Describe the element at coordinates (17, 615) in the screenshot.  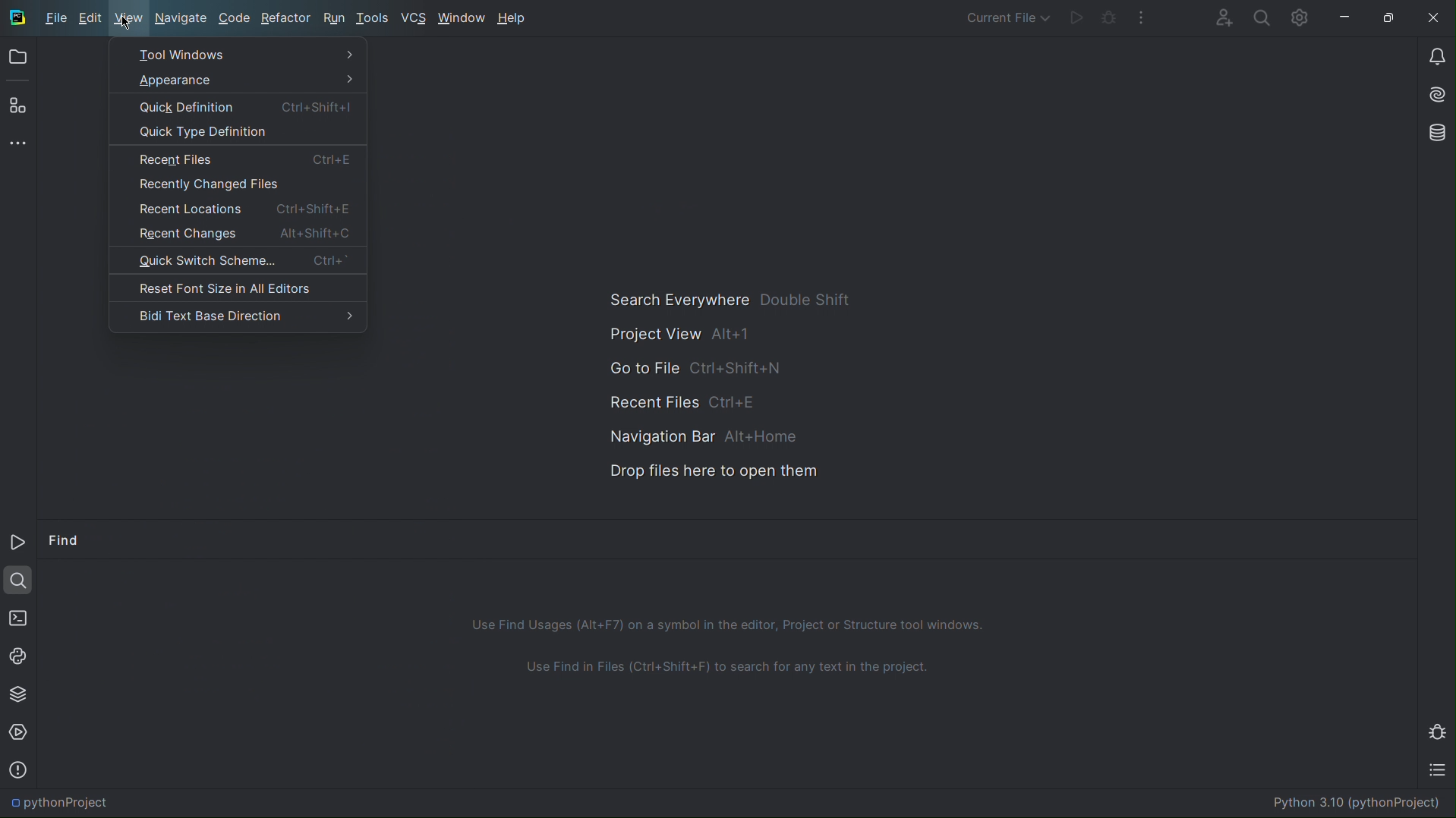
I see `Terminal` at that location.